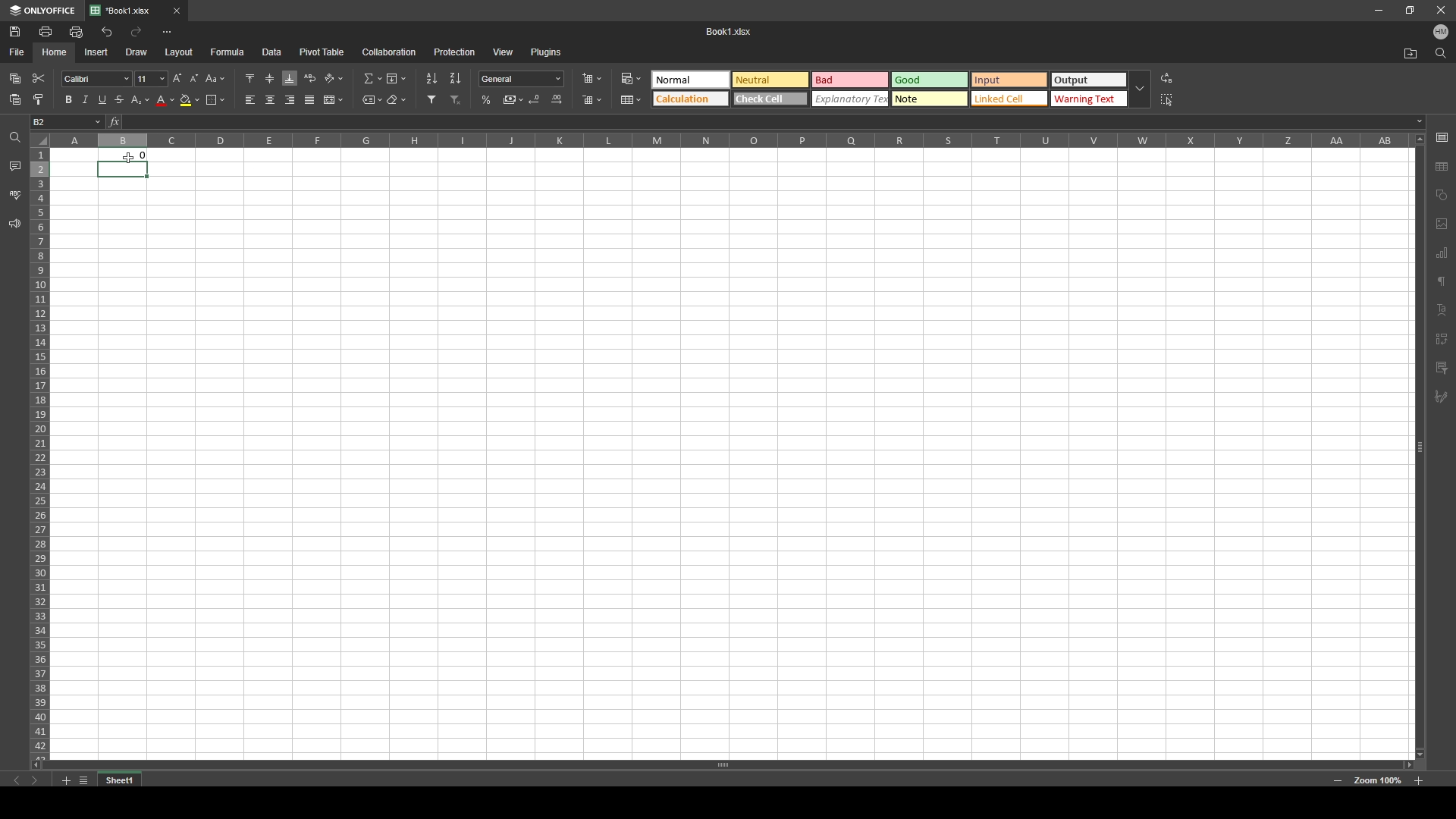  What do you see at coordinates (849, 79) in the screenshot?
I see `Bad` at bounding box center [849, 79].